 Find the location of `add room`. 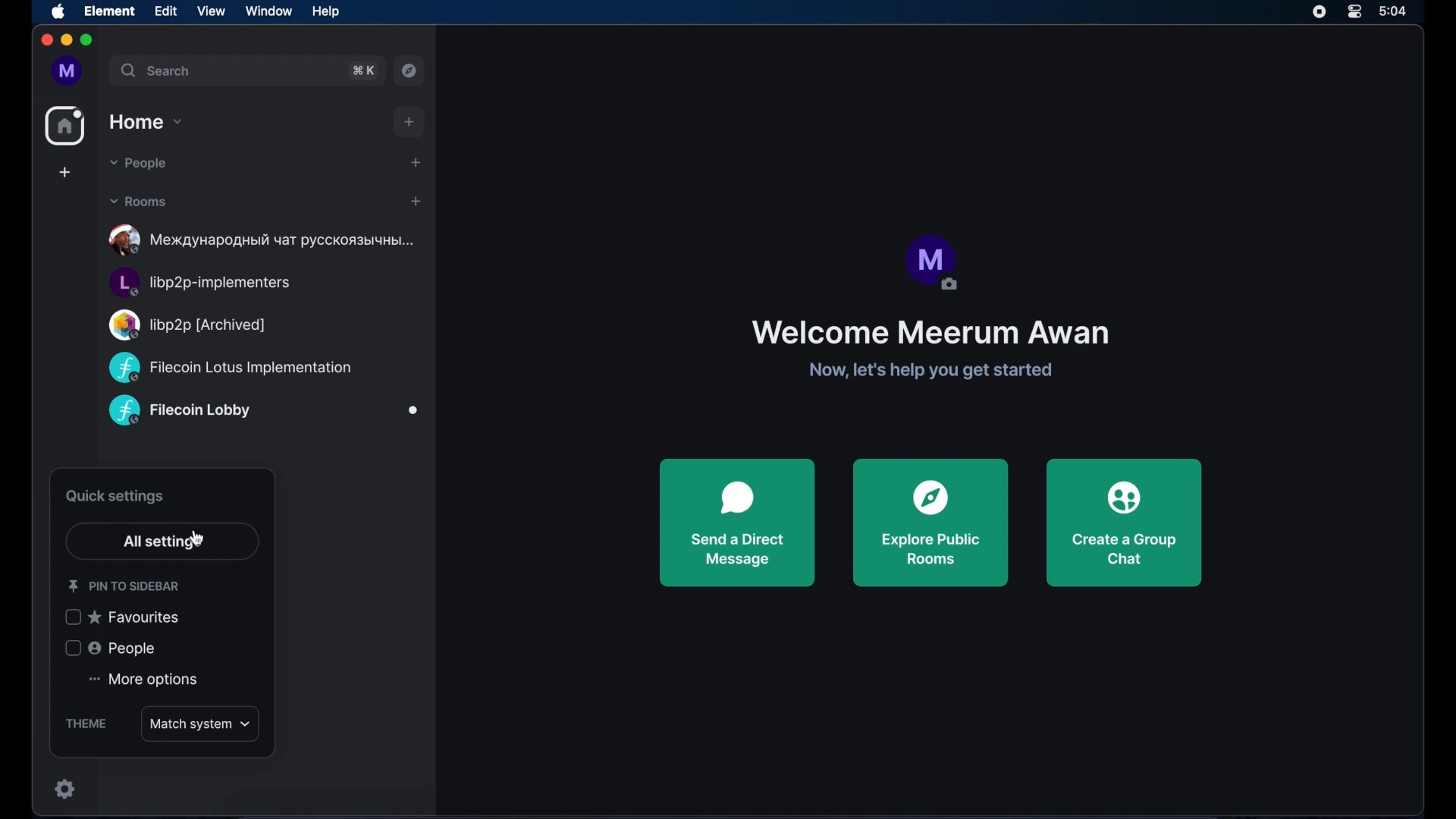

add room is located at coordinates (416, 202).